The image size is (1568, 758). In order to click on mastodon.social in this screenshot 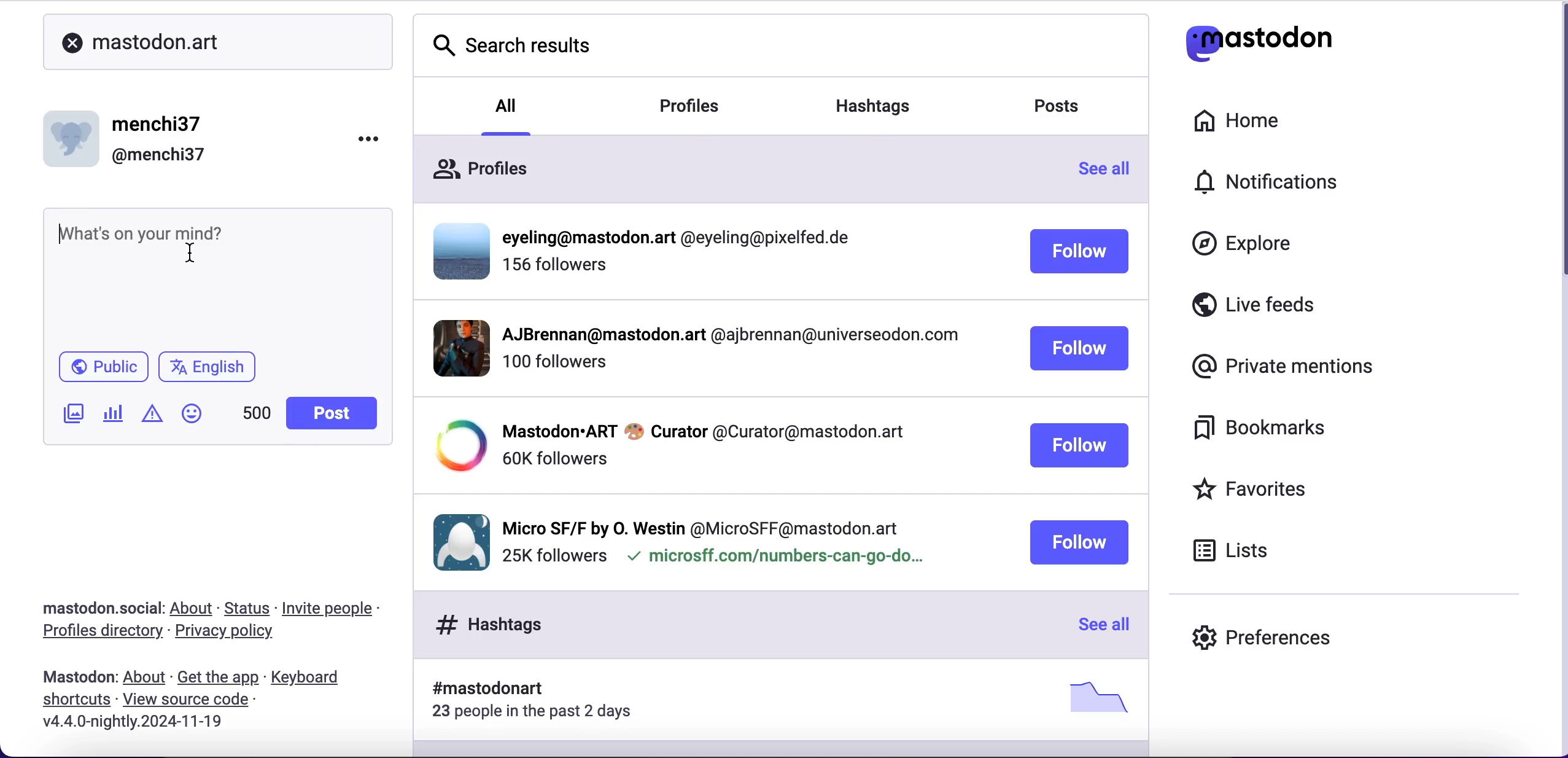, I will do `click(98, 607)`.